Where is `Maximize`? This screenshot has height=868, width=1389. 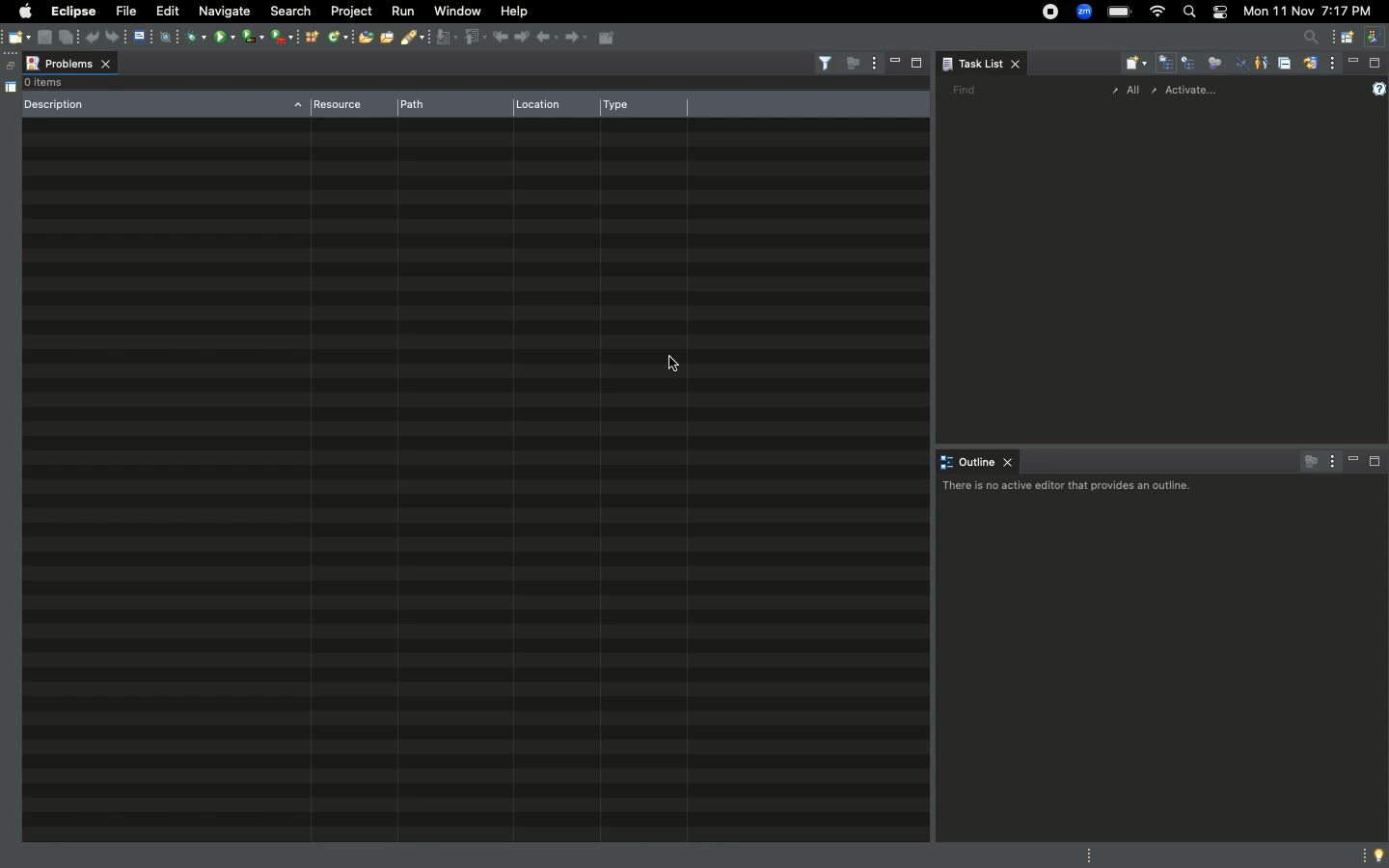 Maximize is located at coordinates (1375, 63).